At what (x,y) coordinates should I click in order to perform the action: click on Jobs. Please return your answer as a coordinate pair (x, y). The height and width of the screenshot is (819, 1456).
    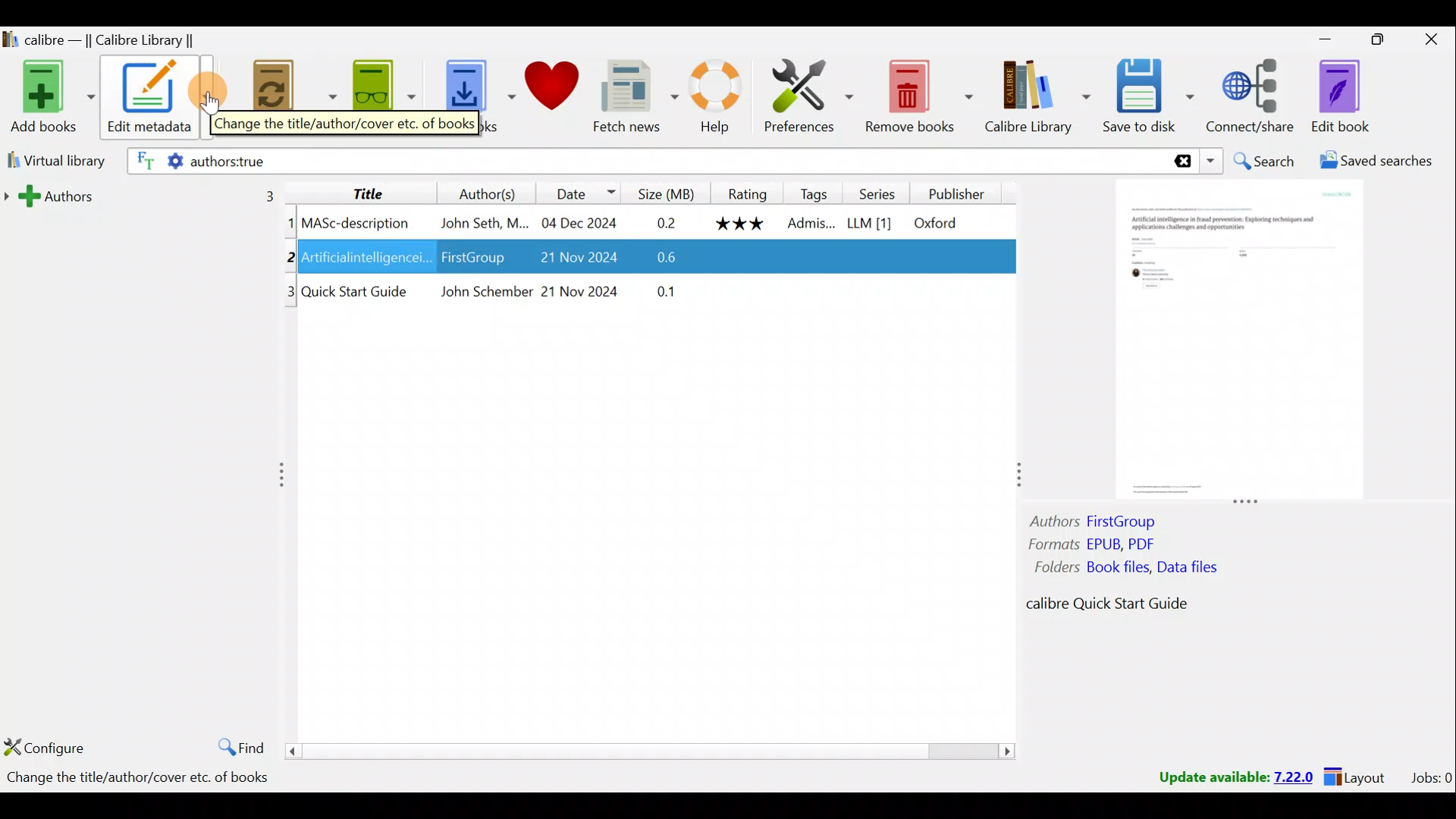
    Looking at the image, I should click on (1430, 777).